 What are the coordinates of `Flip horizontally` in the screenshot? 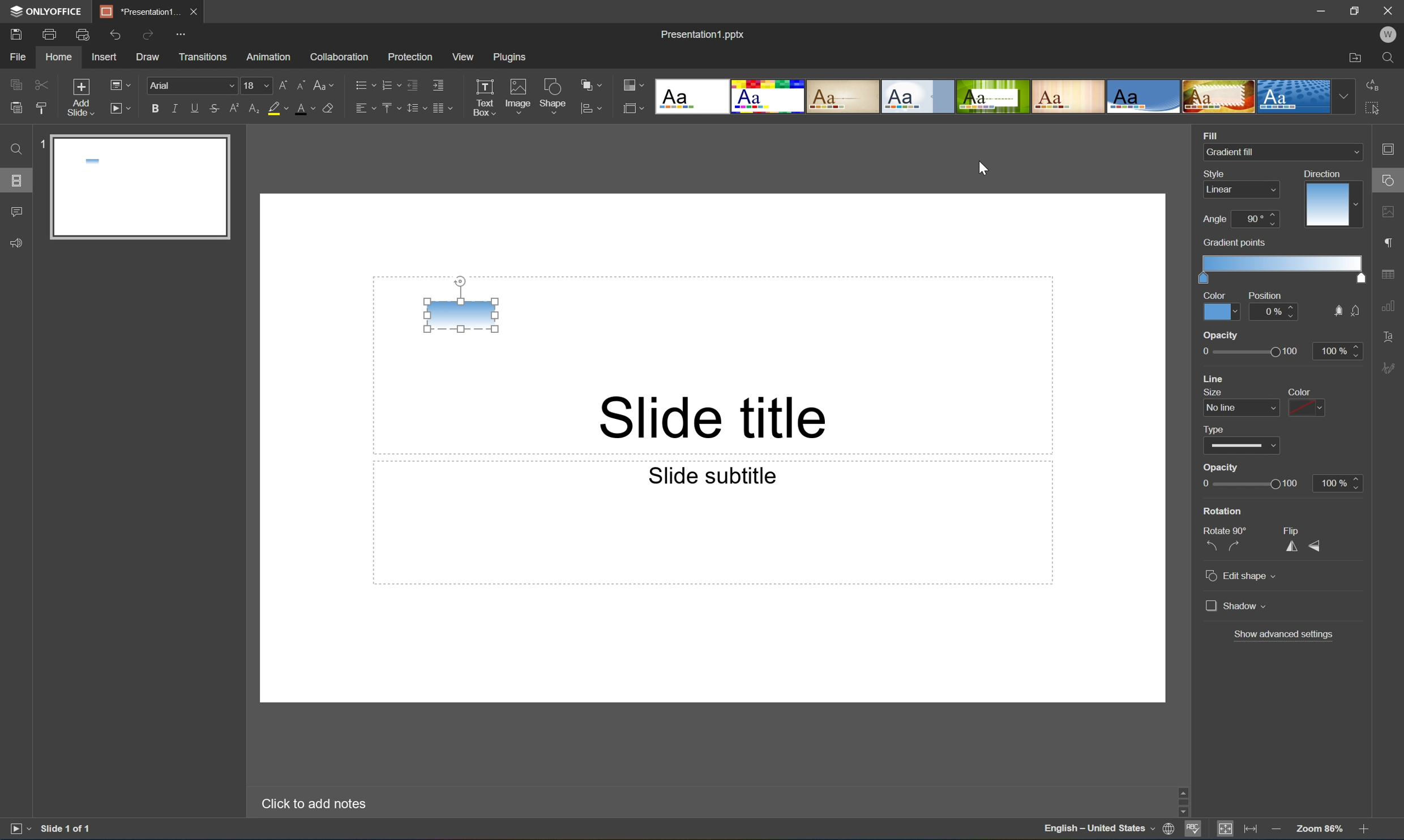 It's located at (1292, 548).